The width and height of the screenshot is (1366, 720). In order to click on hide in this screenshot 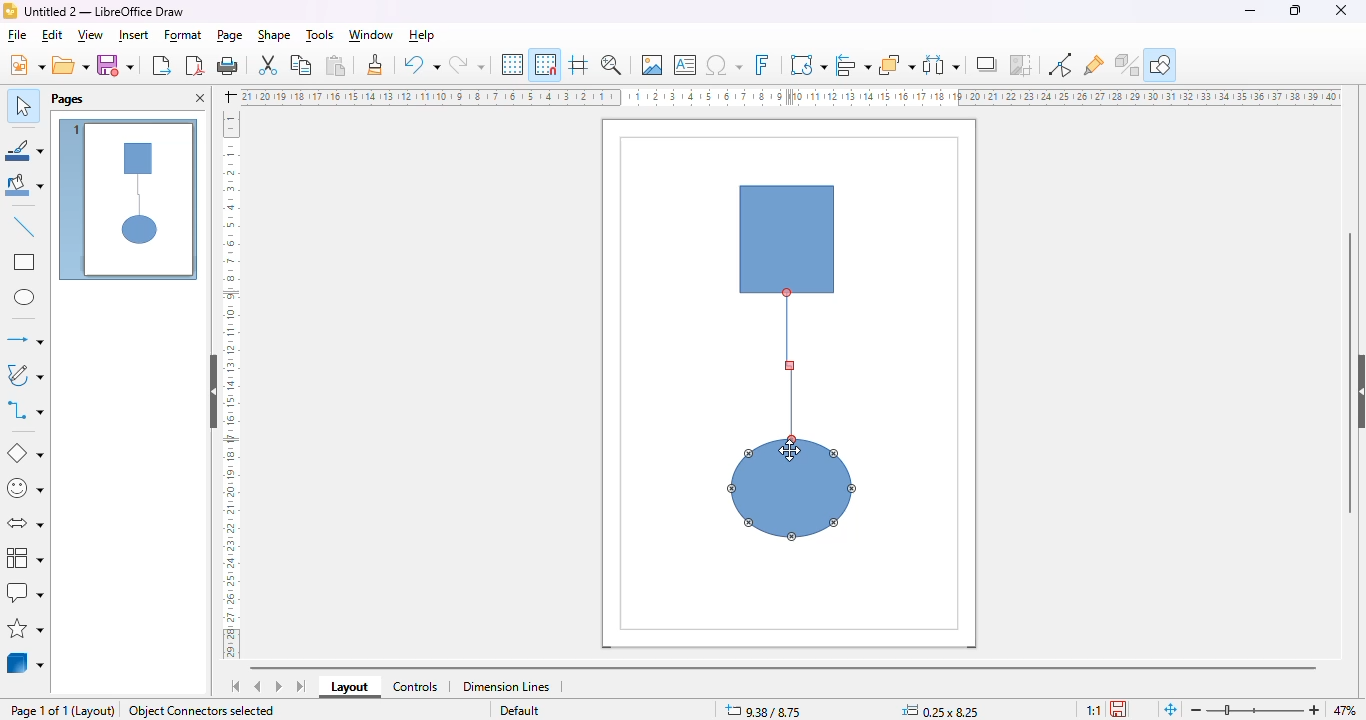, I will do `click(215, 392)`.